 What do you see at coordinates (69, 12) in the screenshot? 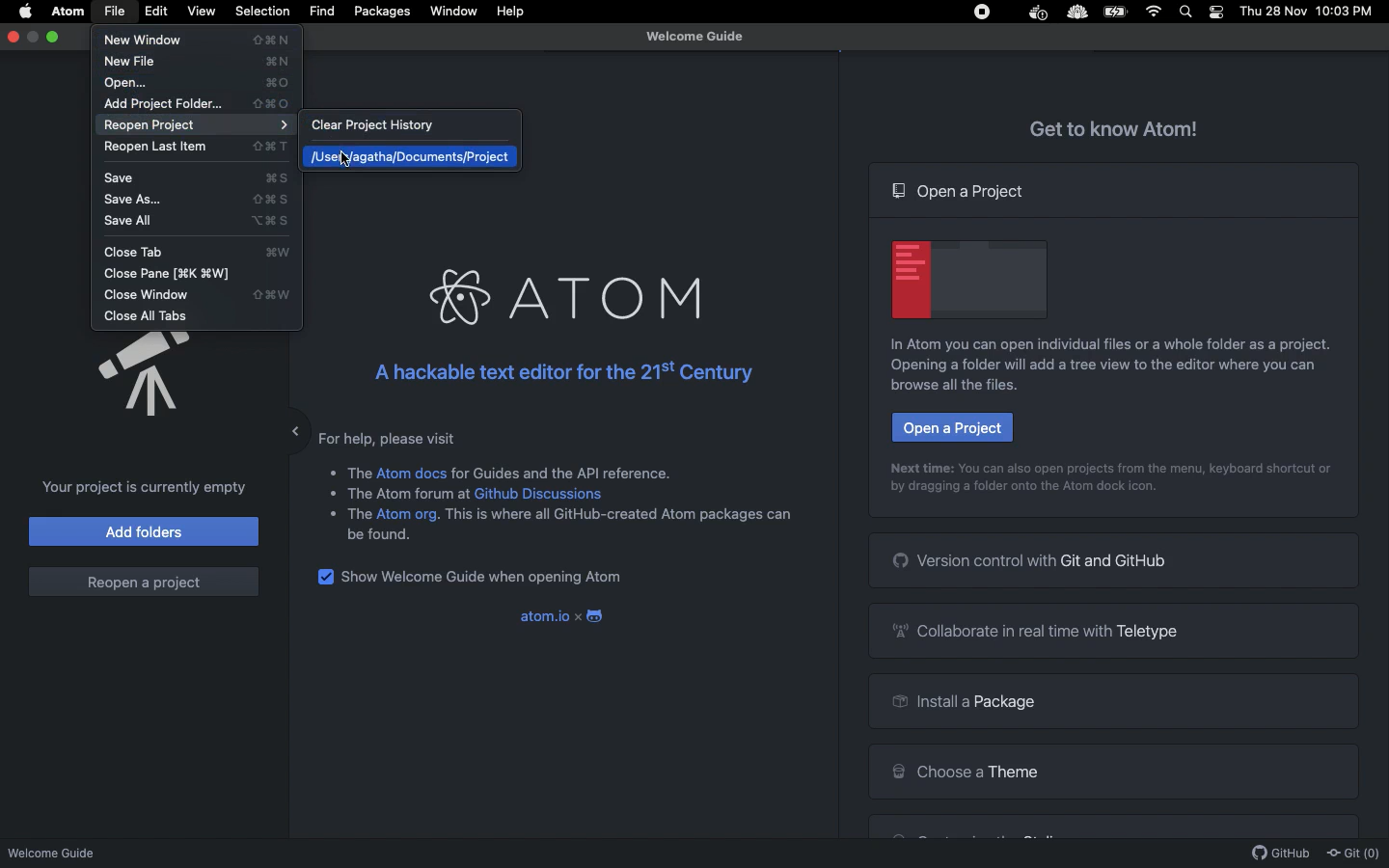
I see `Atom` at bounding box center [69, 12].